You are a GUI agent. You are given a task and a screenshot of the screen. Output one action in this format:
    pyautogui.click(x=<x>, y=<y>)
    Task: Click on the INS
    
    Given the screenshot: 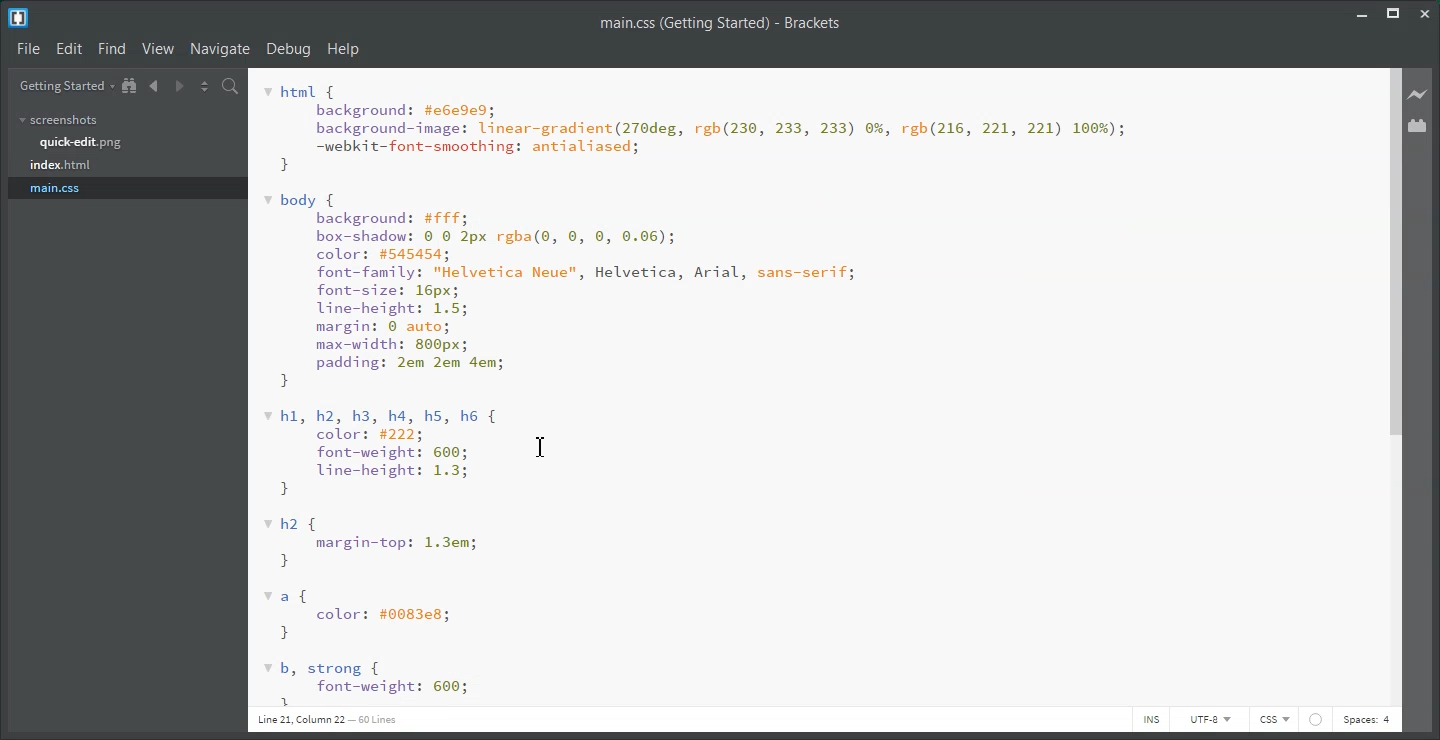 What is the action you would take?
    pyautogui.click(x=1143, y=721)
    